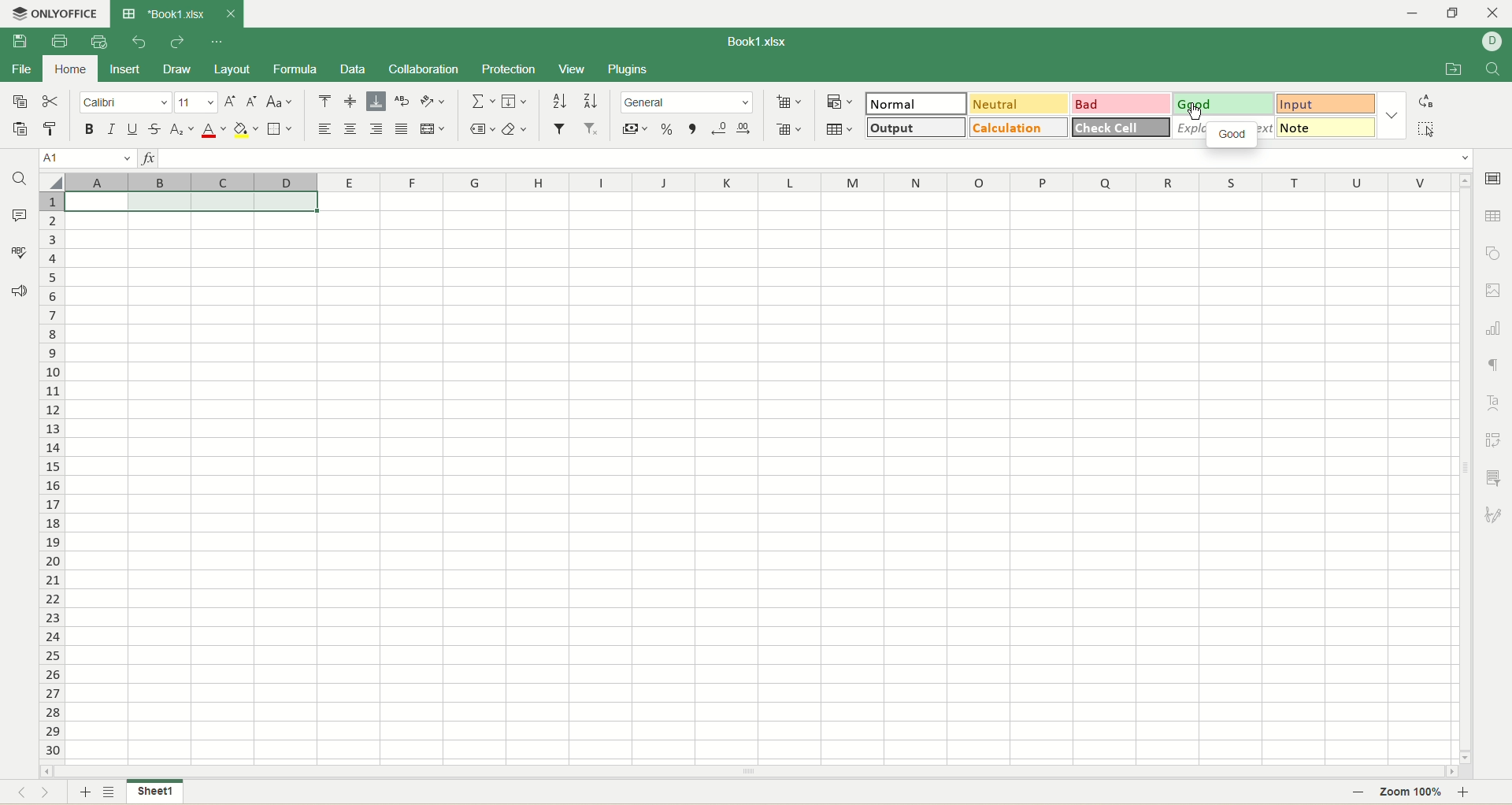 The image size is (1512, 805). Describe the element at coordinates (295, 69) in the screenshot. I see `formula` at that location.